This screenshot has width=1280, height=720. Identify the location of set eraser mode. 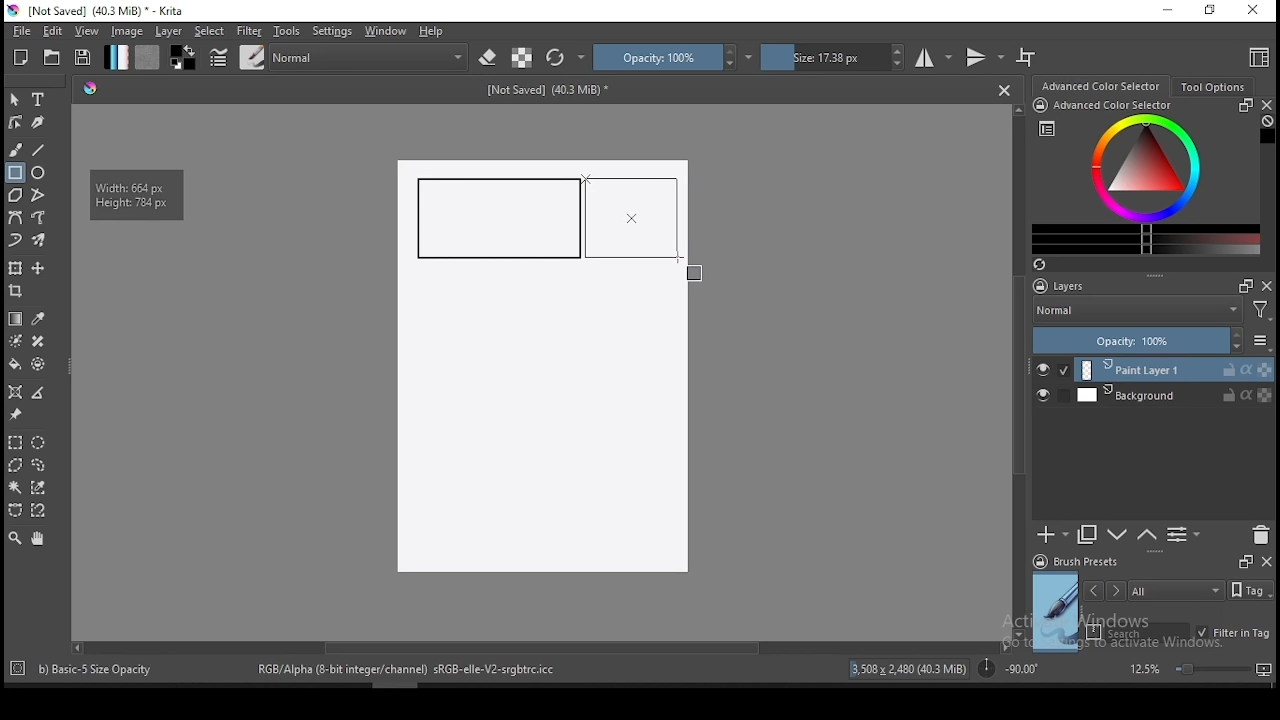
(490, 58).